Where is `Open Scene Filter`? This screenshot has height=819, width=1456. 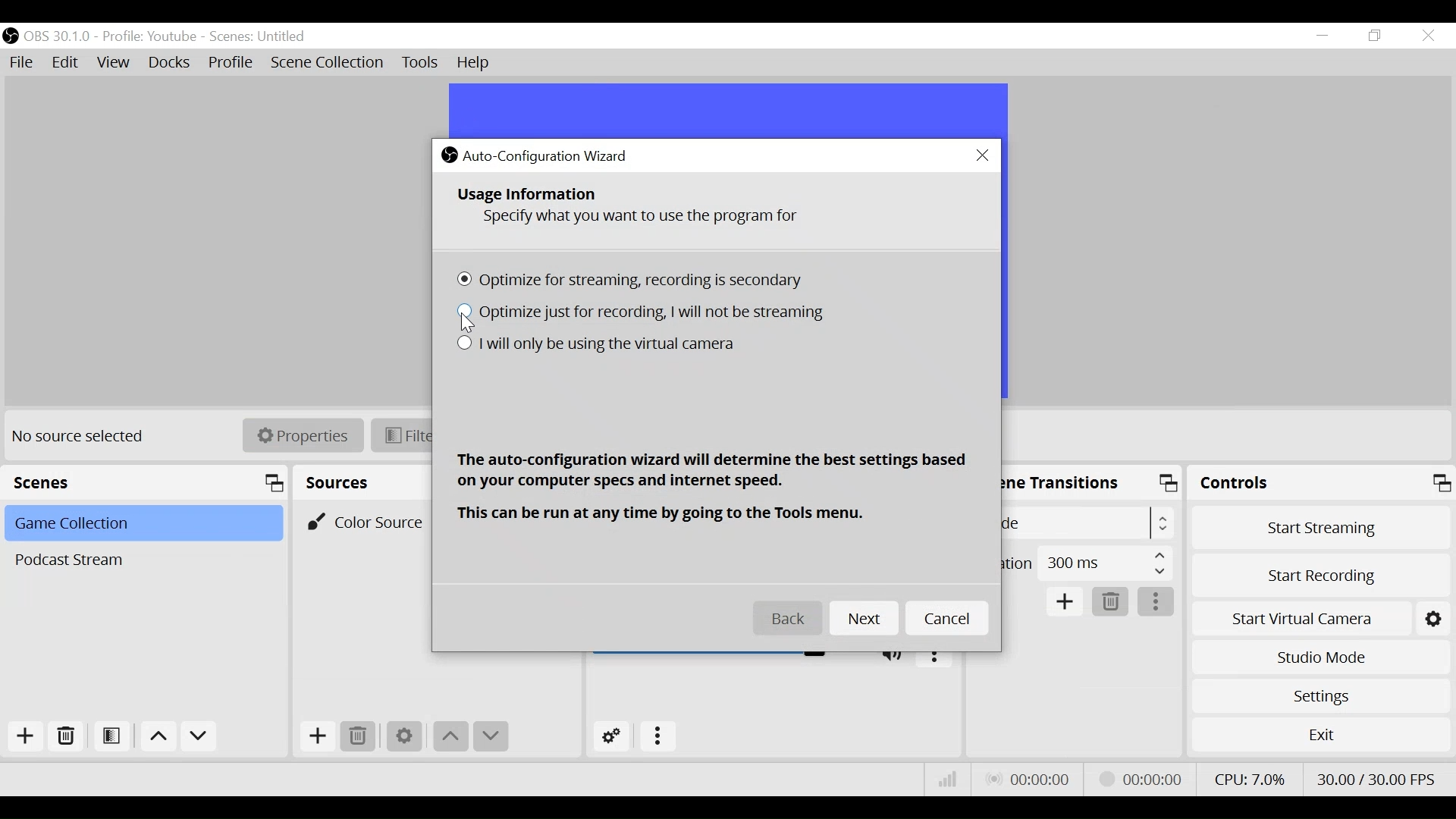
Open Scene Filter is located at coordinates (111, 736).